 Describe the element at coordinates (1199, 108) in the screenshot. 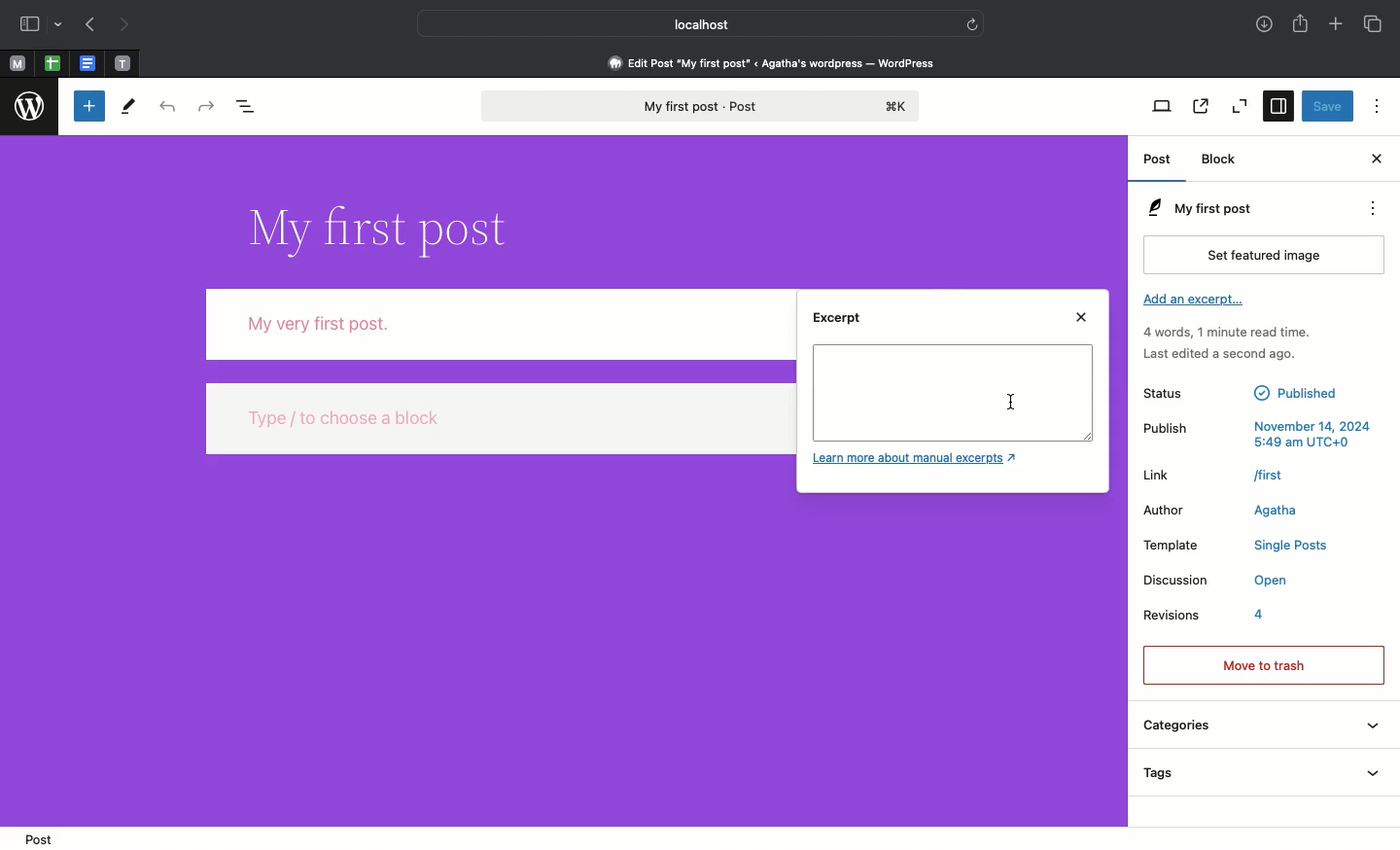

I see `View post` at that location.